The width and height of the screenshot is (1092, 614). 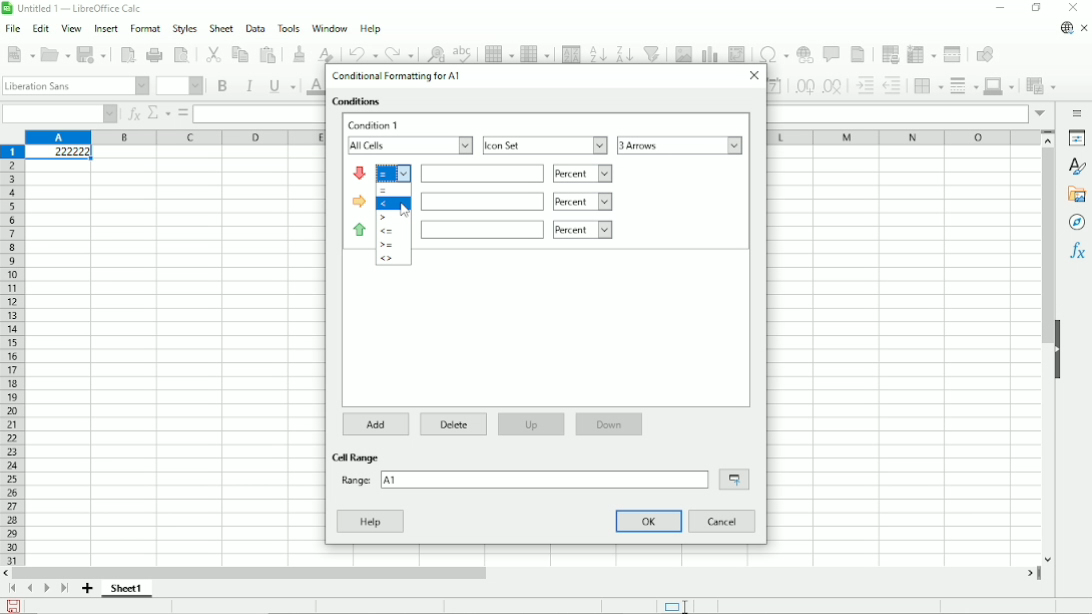 I want to click on Sort ascending, so click(x=597, y=51).